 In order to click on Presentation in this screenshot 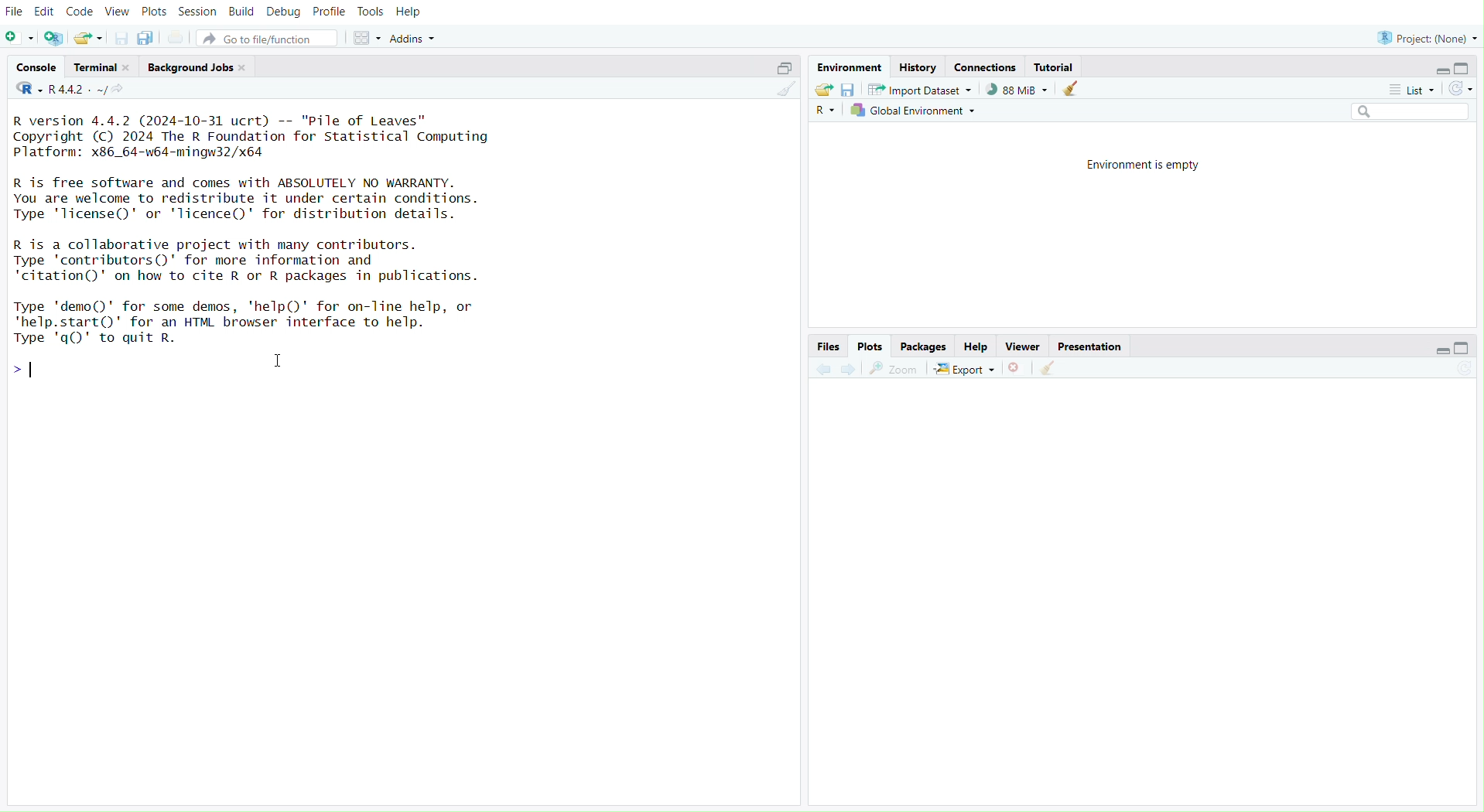, I will do `click(1090, 347)`.